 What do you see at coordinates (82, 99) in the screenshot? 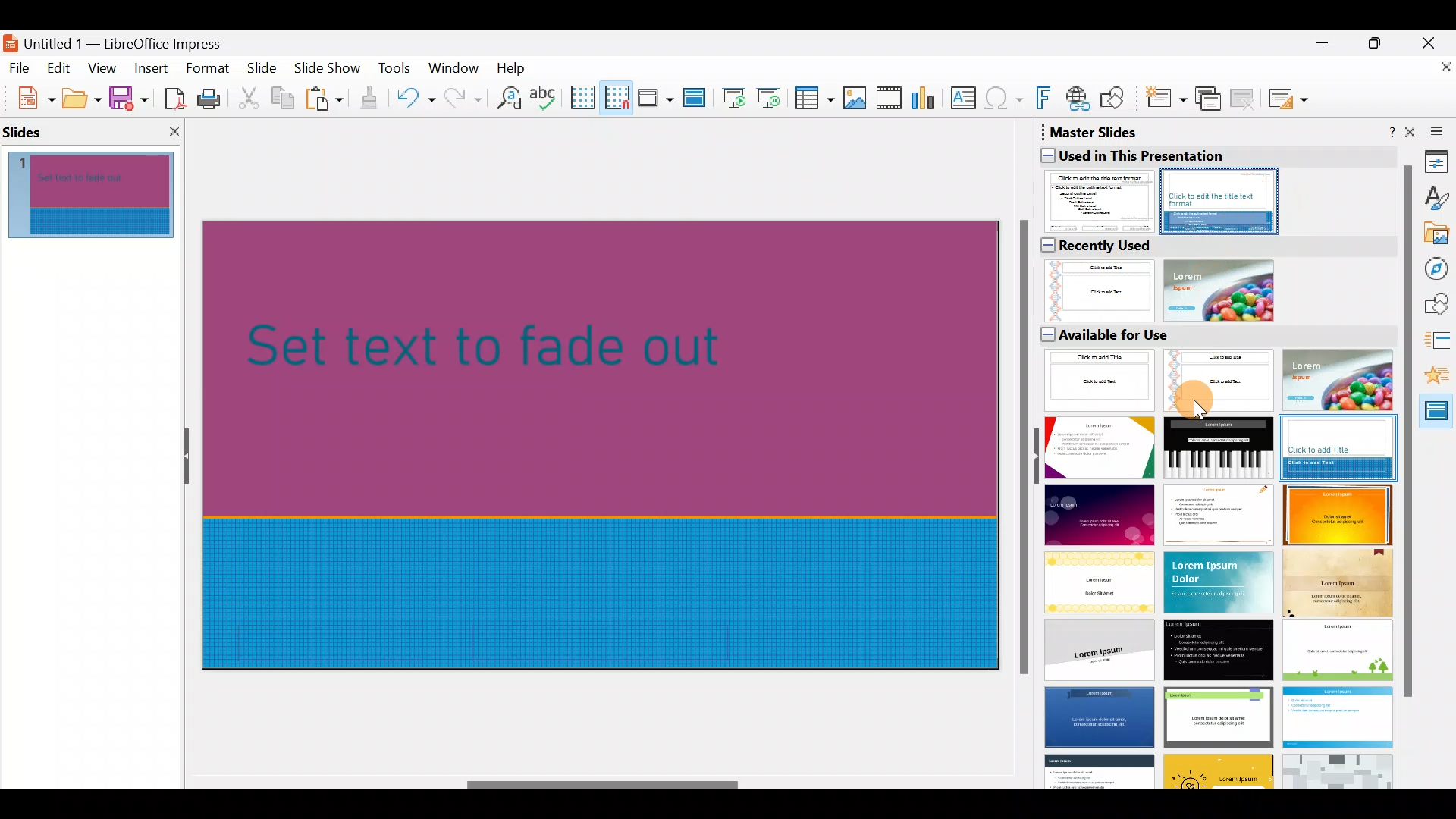
I see `Open` at bounding box center [82, 99].